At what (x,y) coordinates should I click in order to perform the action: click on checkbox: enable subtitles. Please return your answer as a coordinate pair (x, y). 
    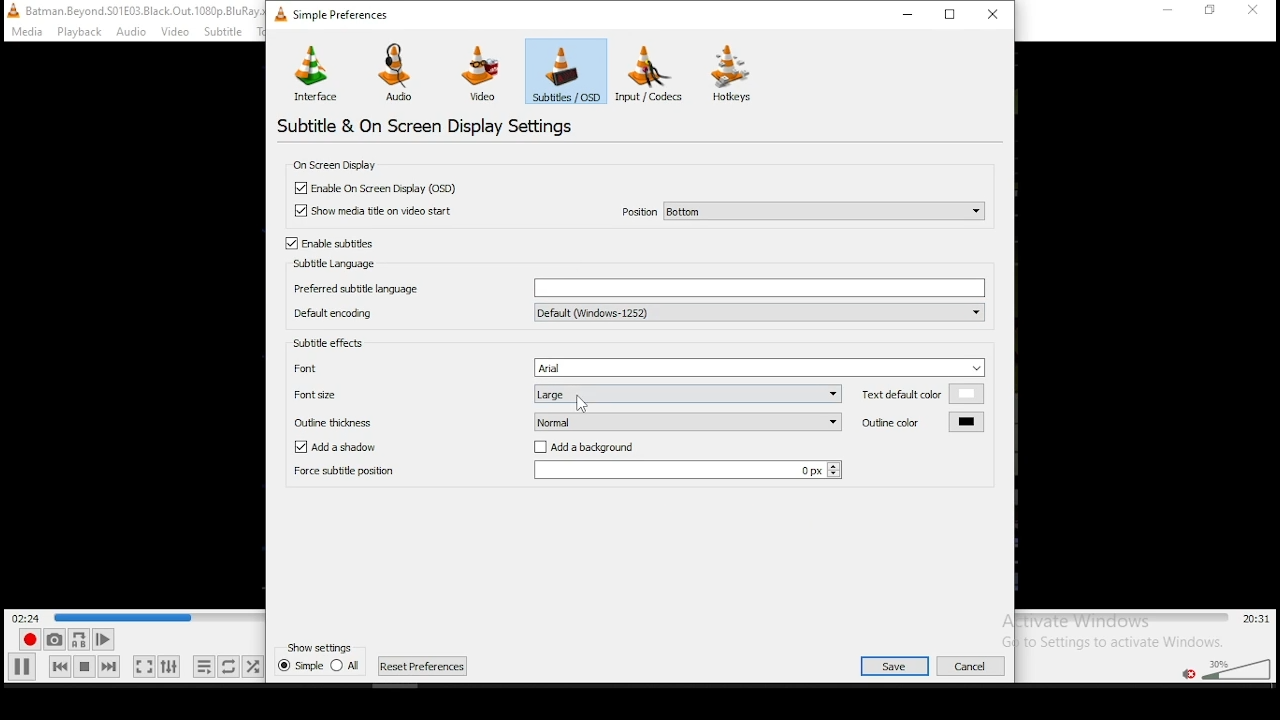
    Looking at the image, I should click on (332, 244).